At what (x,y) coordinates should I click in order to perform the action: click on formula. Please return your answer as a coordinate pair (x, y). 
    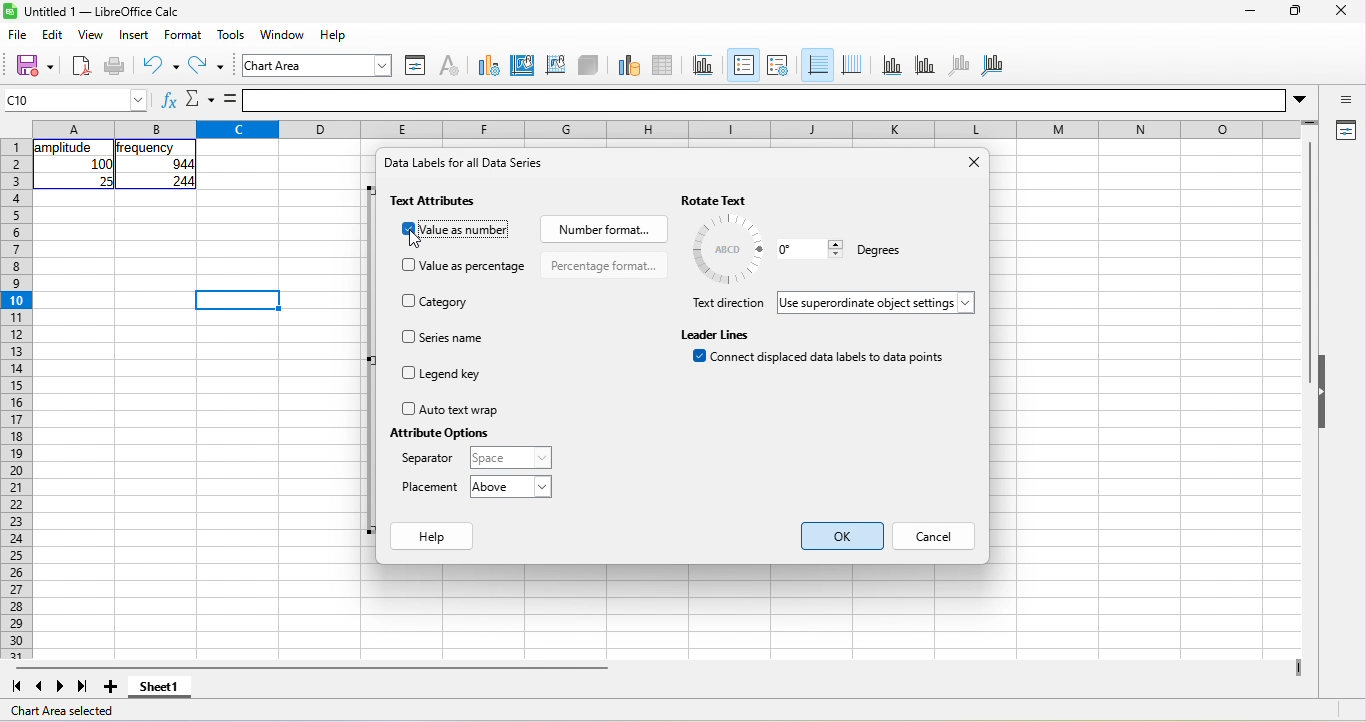
    Looking at the image, I should click on (231, 100).